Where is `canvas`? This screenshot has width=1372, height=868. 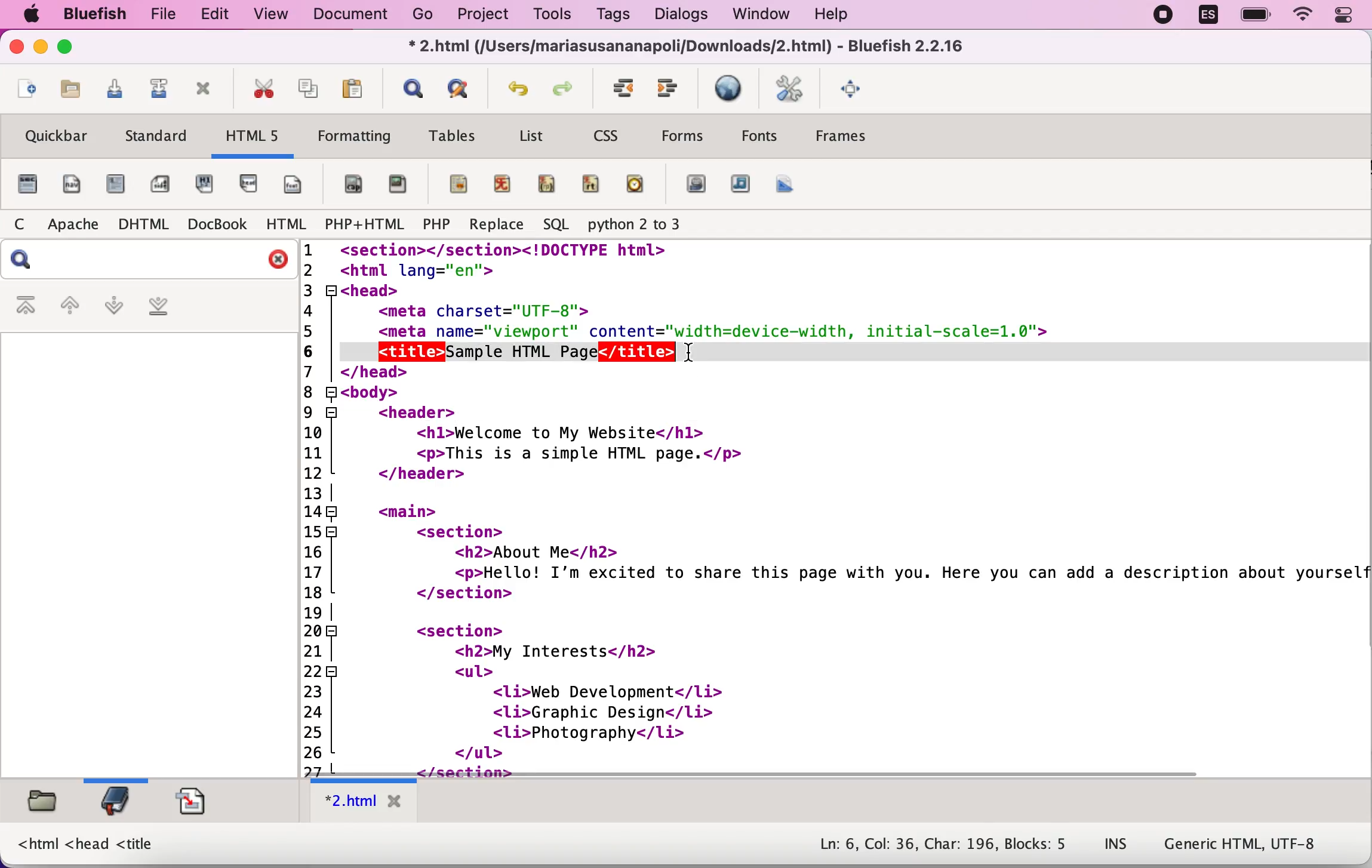 canvas is located at coordinates (787, 184).